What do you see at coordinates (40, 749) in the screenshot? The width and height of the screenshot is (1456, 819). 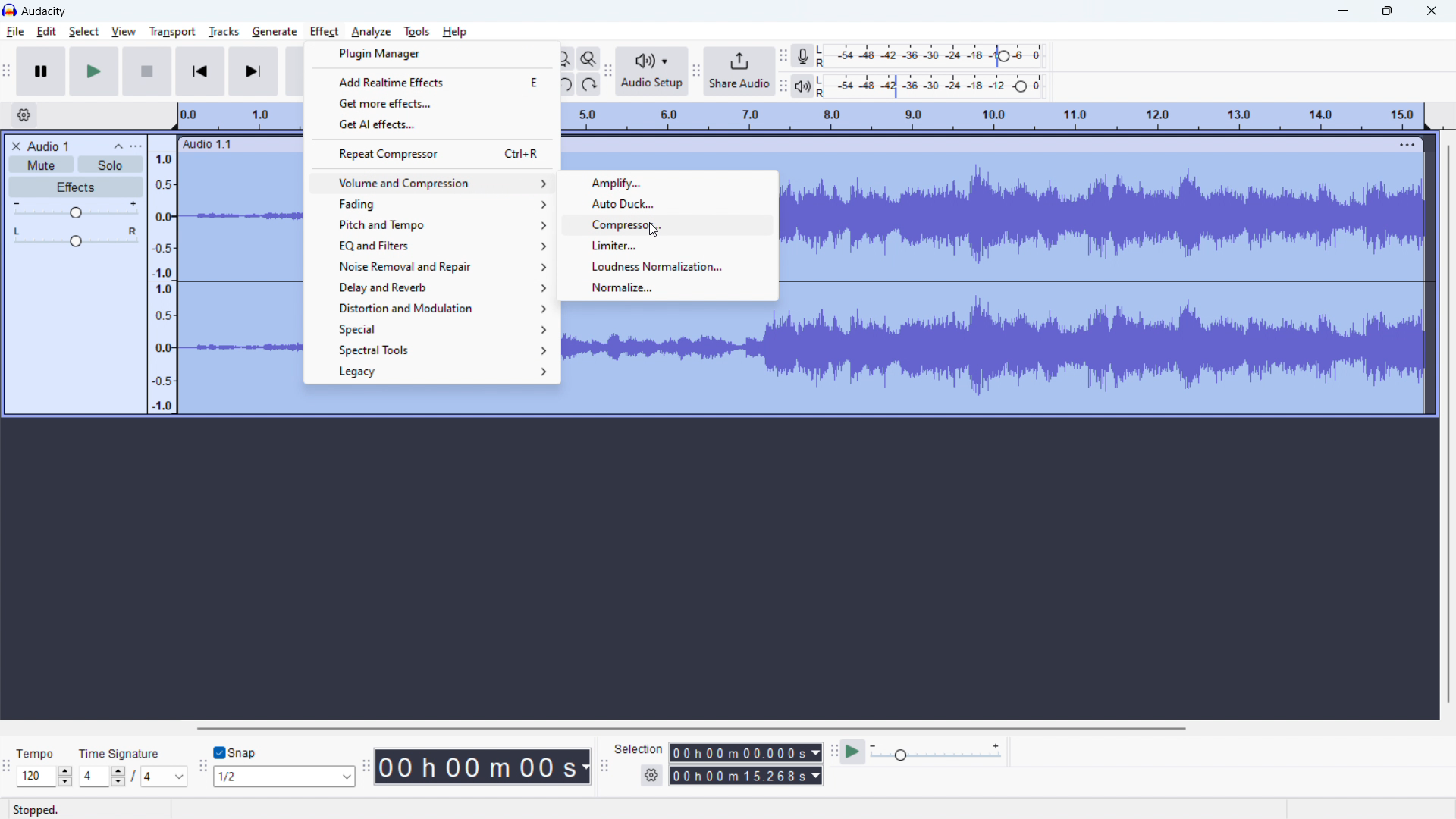 I see `Tempo` at bounding box center [40, 749].